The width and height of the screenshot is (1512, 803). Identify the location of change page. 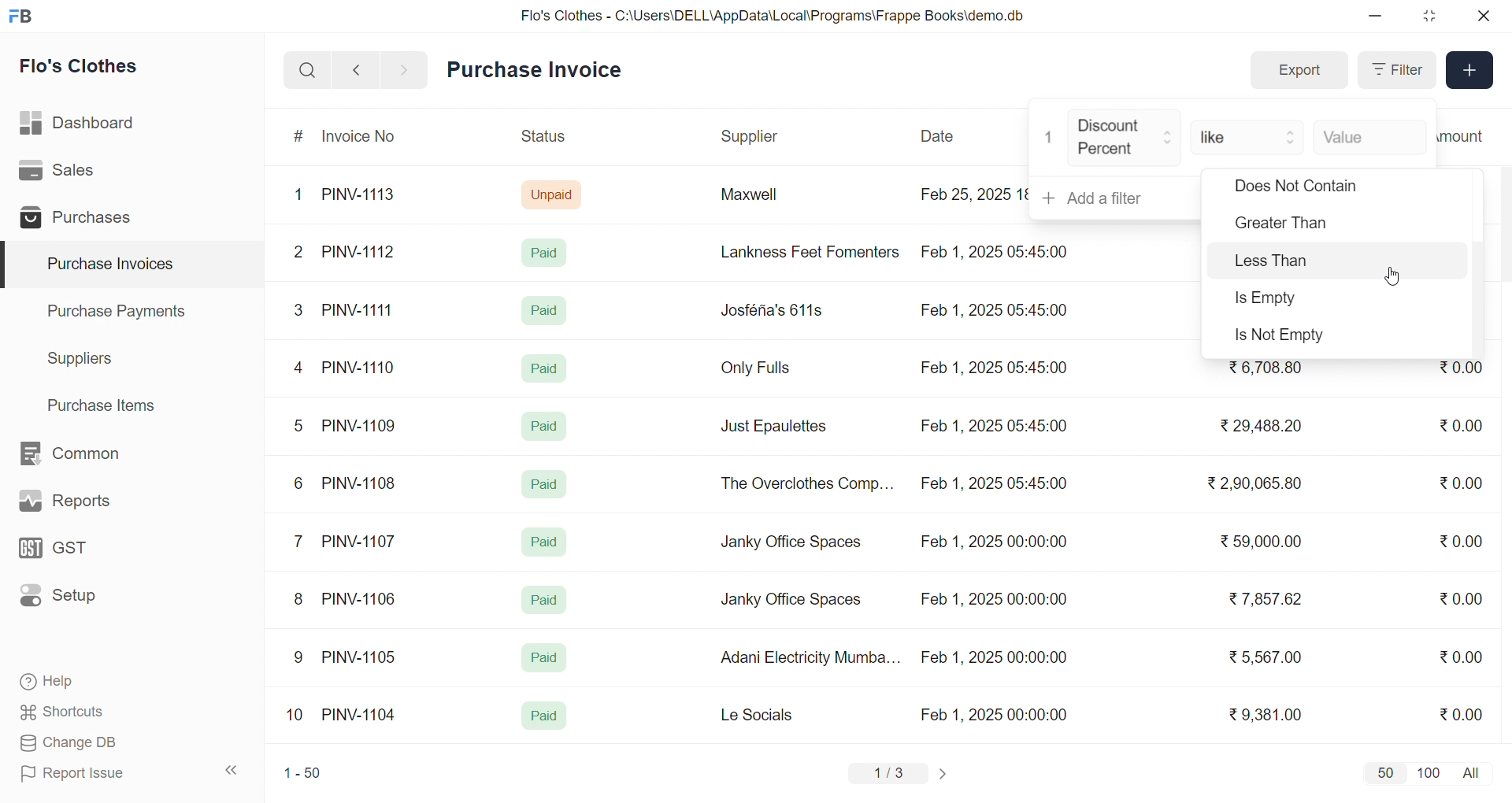
(945, 773).